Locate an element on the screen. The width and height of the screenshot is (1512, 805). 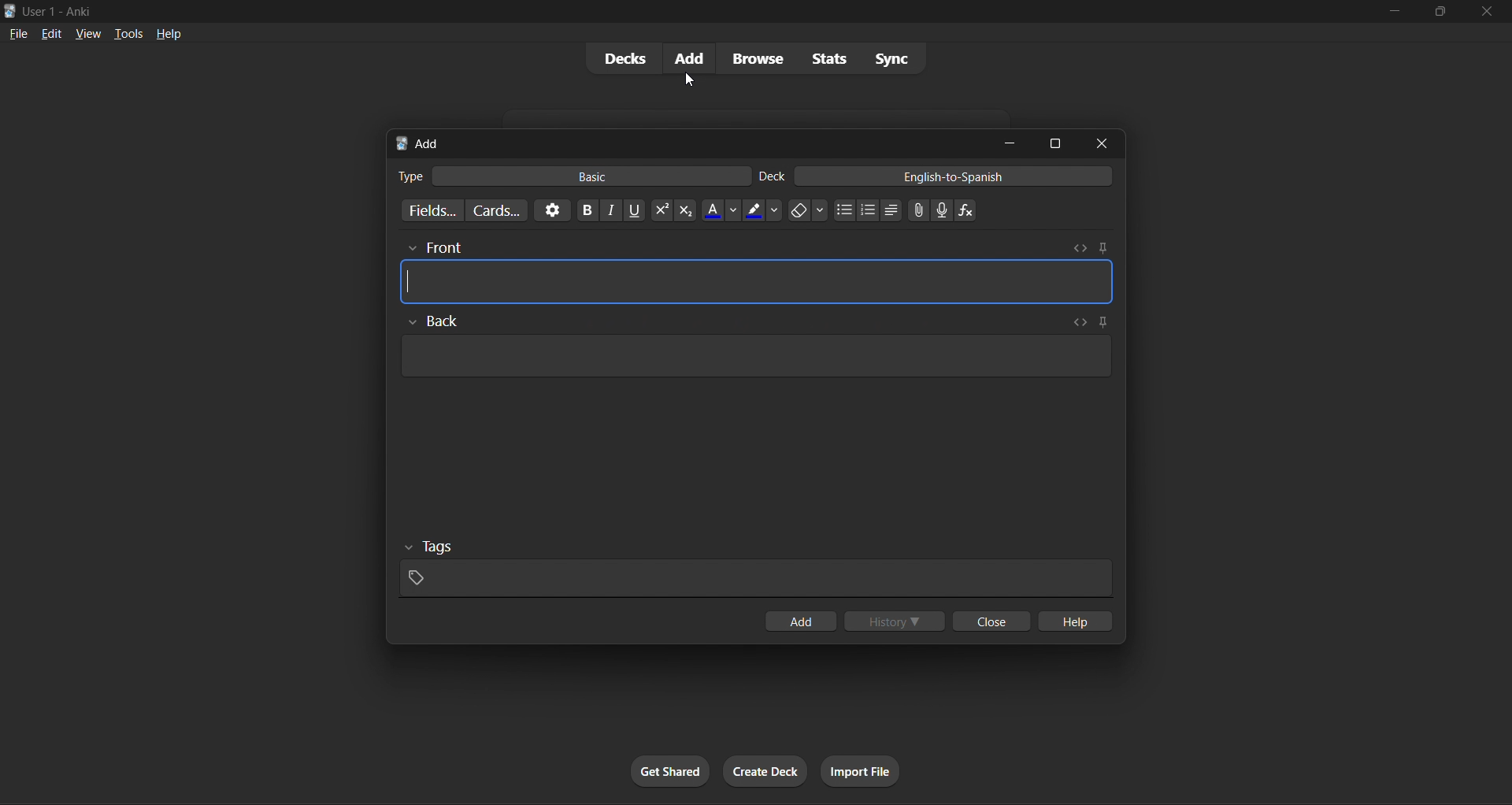
close is located at coordinates (988, 623).